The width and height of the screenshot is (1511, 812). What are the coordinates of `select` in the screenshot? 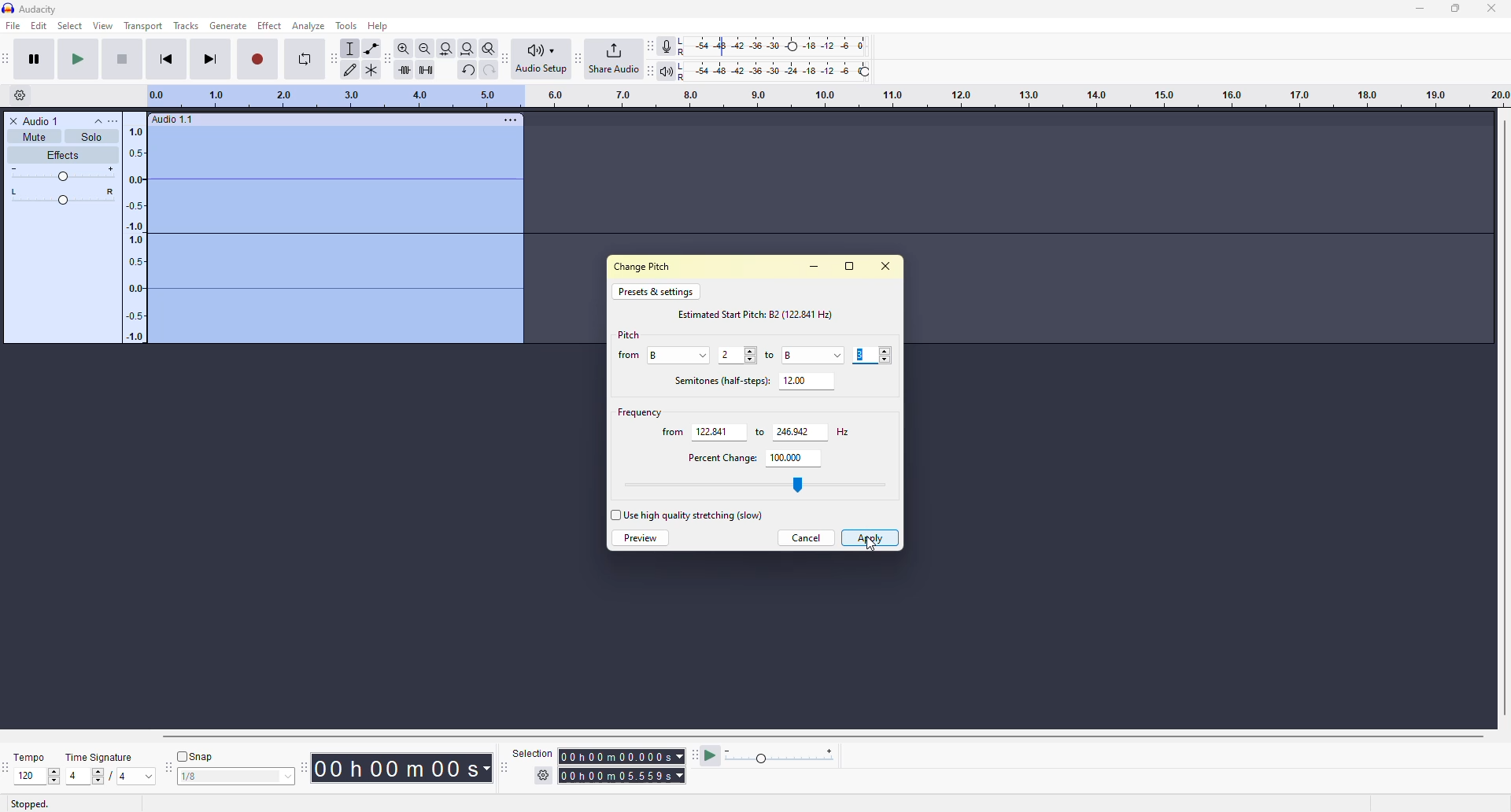 It's located at (69, 26).